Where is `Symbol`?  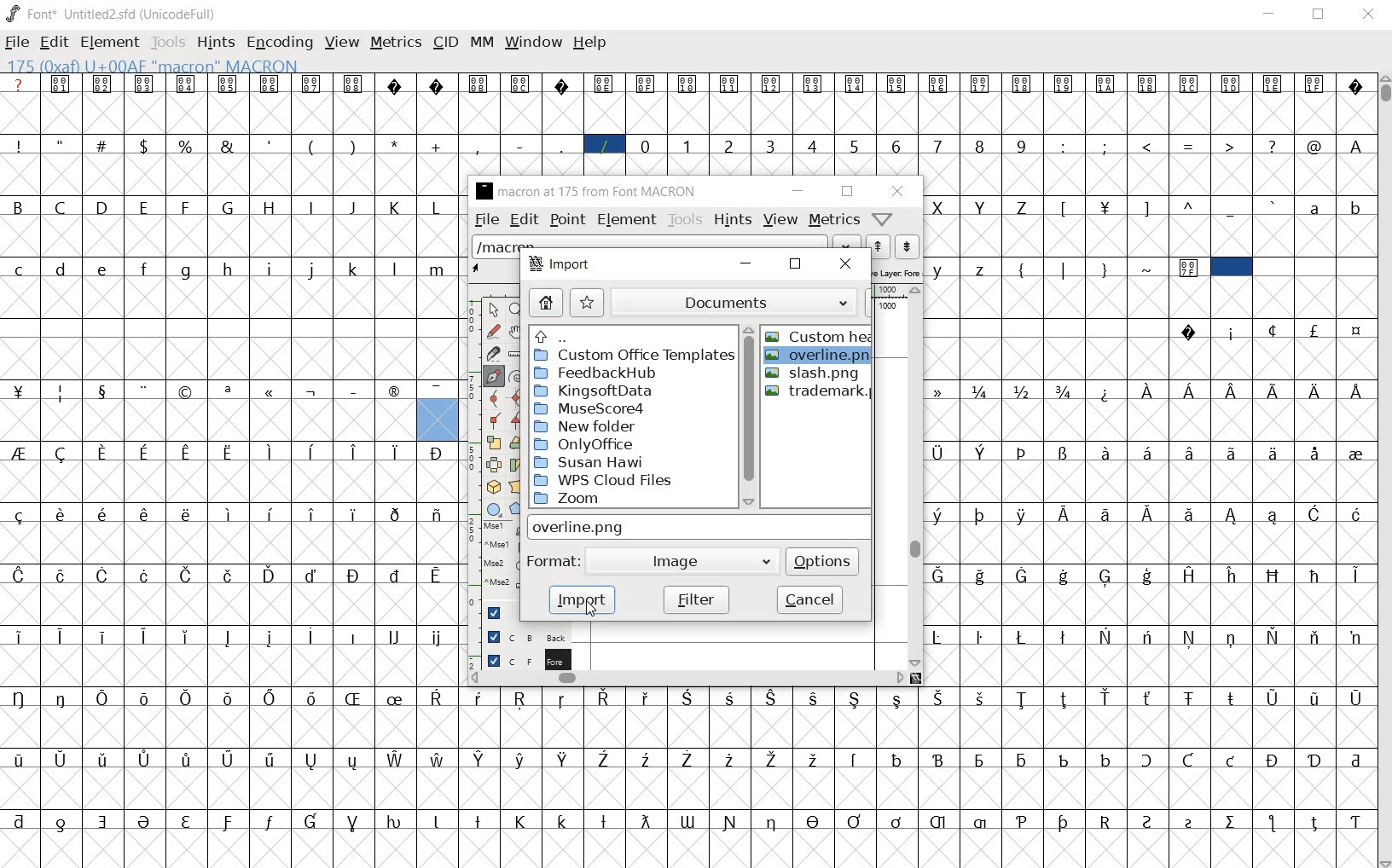
Symbol is located at coordinates (481, 697).